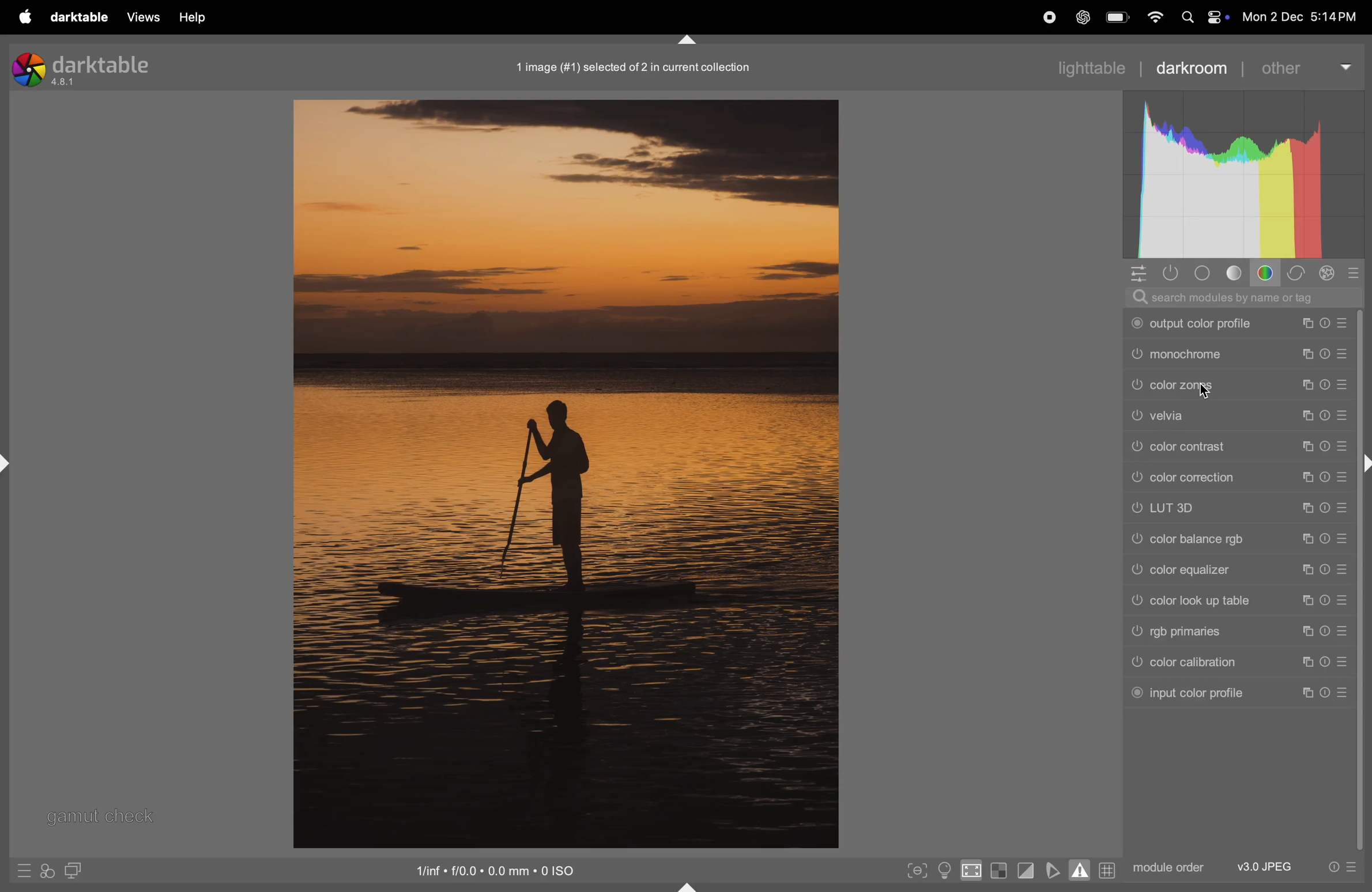 The width and height of the screenshot is (1372, 892). I want to click on Copy, so click(1342, 445).